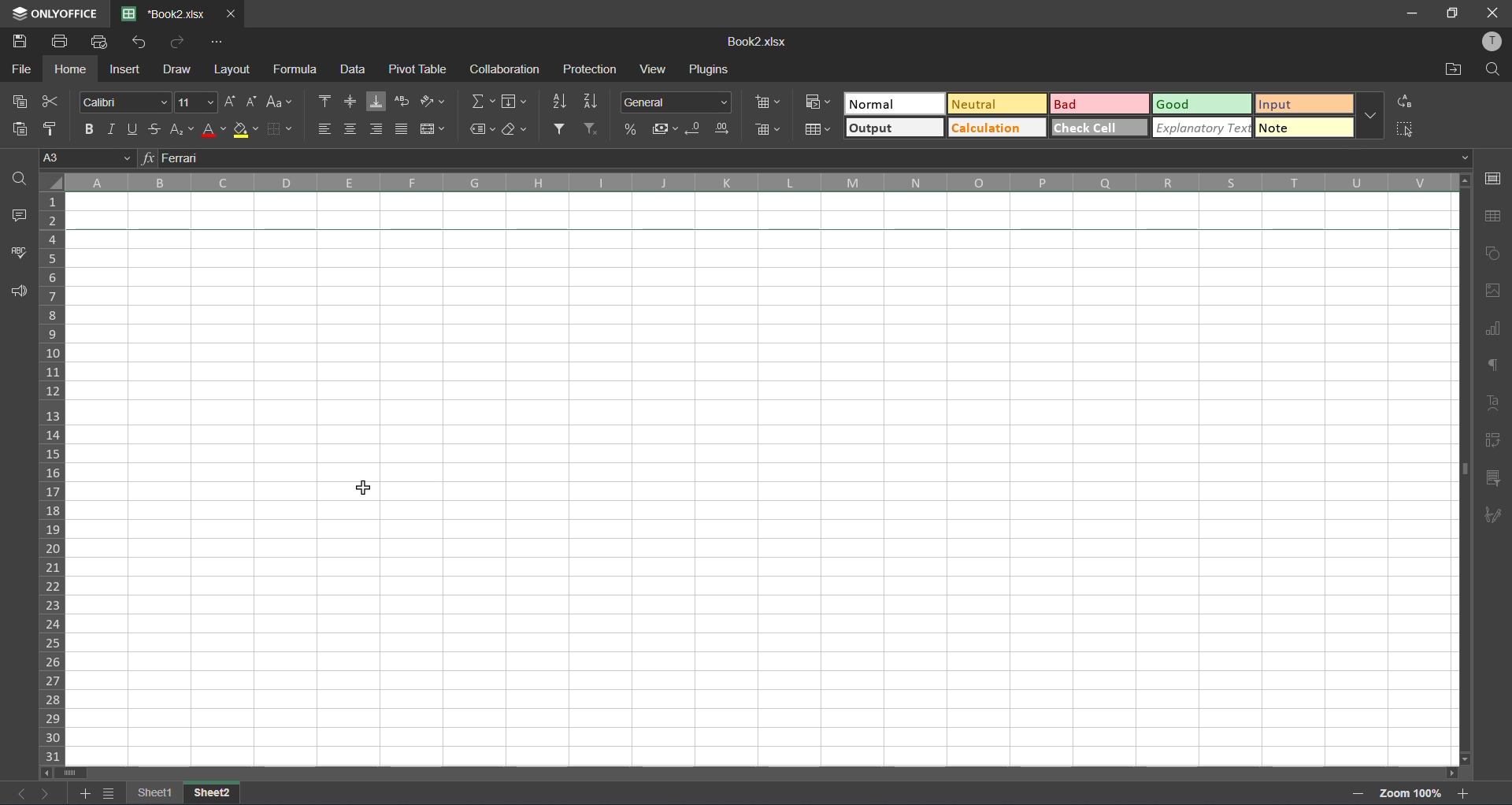 Image resolution: width=1512 pixels, height=805 pixels. What do you see at coordinates (1407, 102) in the screenshot?
I see `replace` at bounding box center [1407, 102].